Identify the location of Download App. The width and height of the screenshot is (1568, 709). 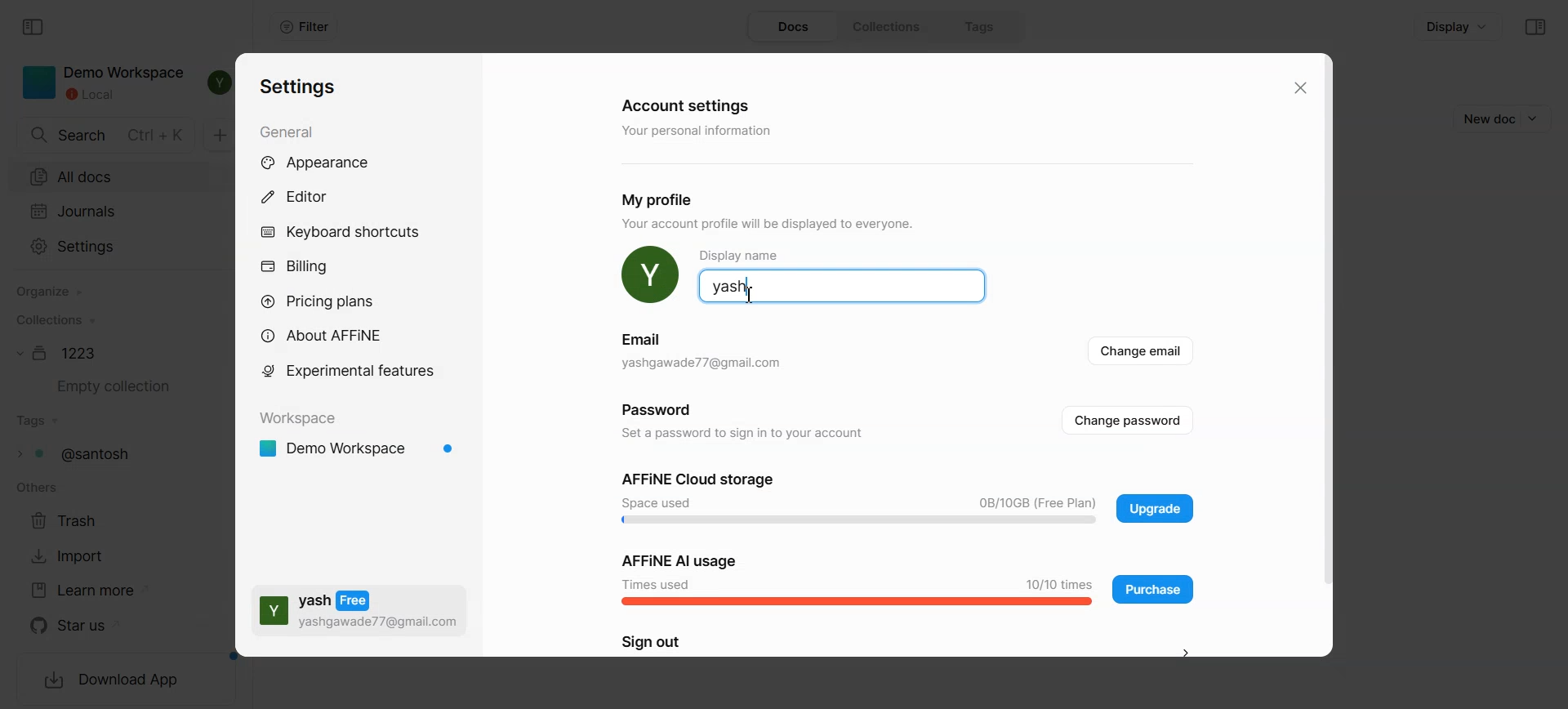
(113, 681).